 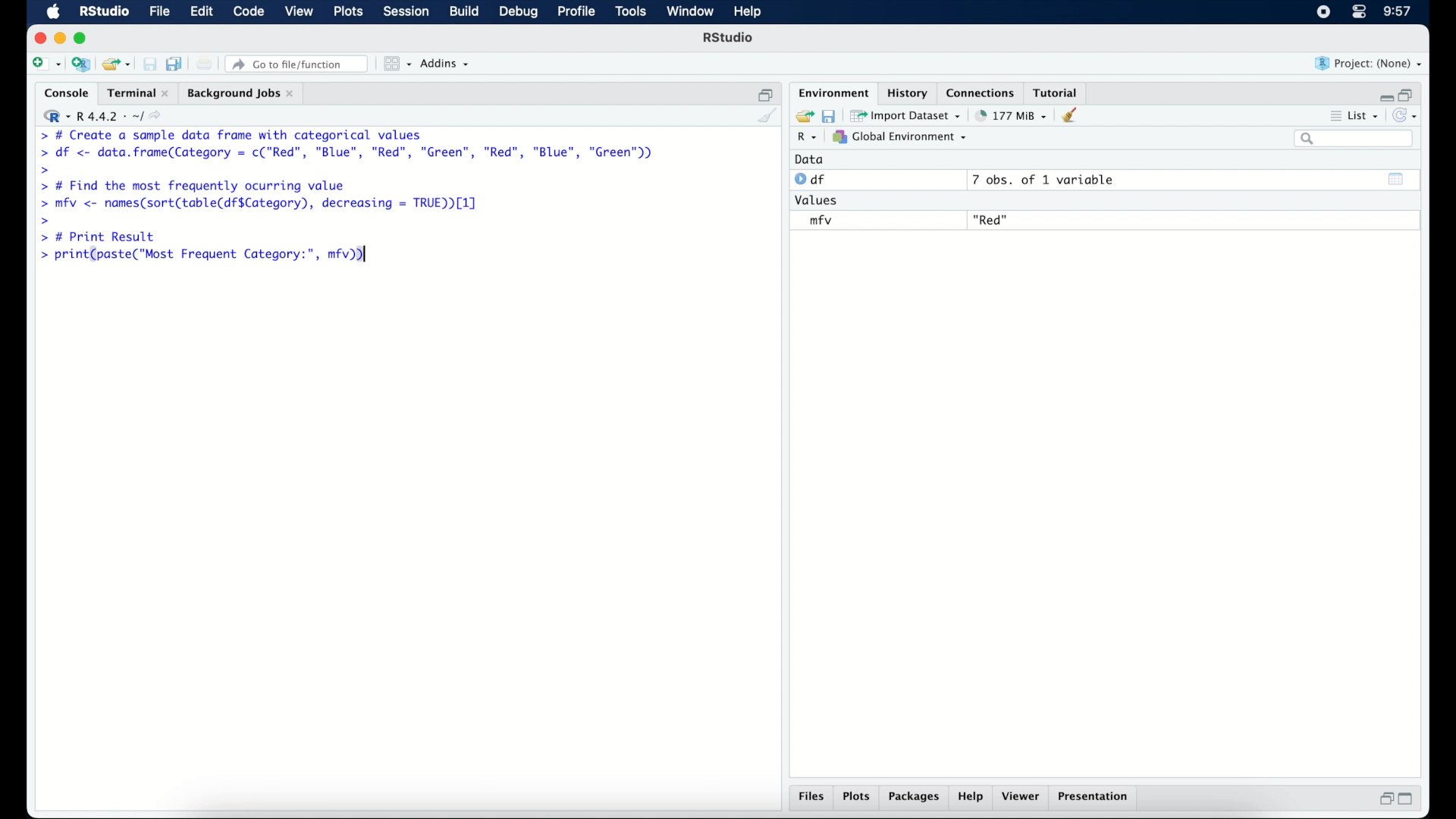 I want to click on search bar, so click(x=1355, y=140).